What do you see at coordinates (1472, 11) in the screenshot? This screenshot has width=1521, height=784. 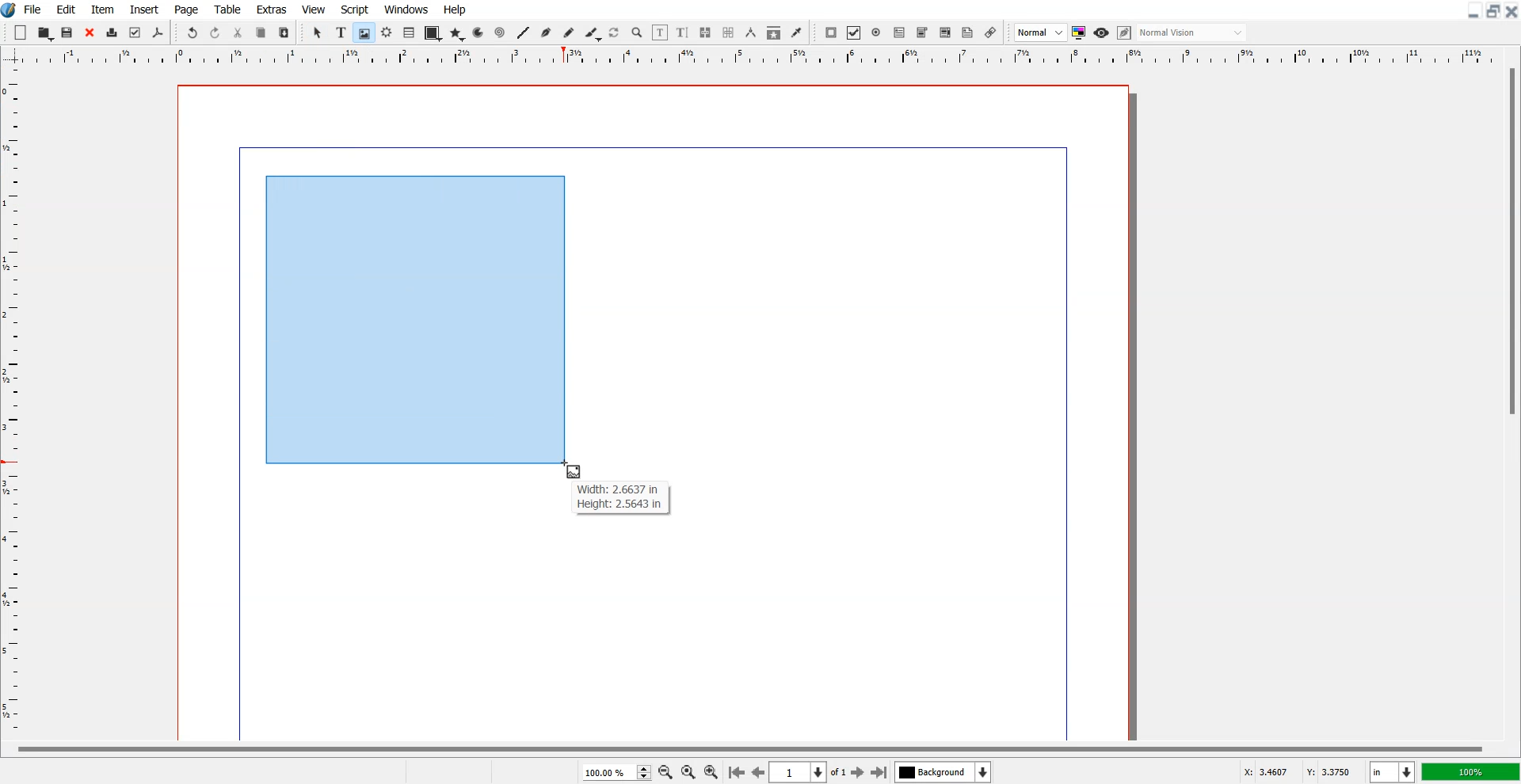 I see `Minimize` at bounding box center [1472, 11].